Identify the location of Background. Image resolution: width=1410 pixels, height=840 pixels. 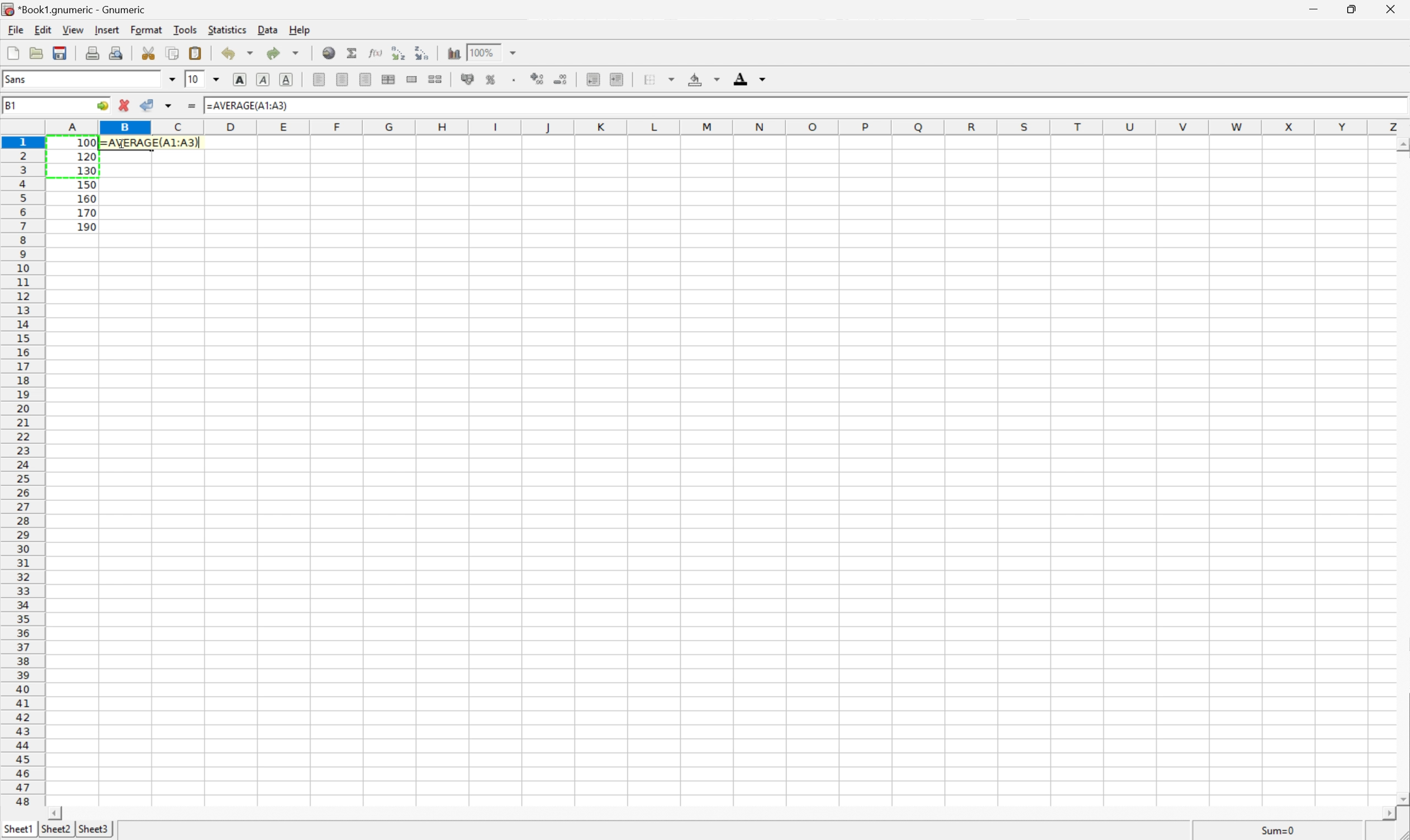
(700, 79).